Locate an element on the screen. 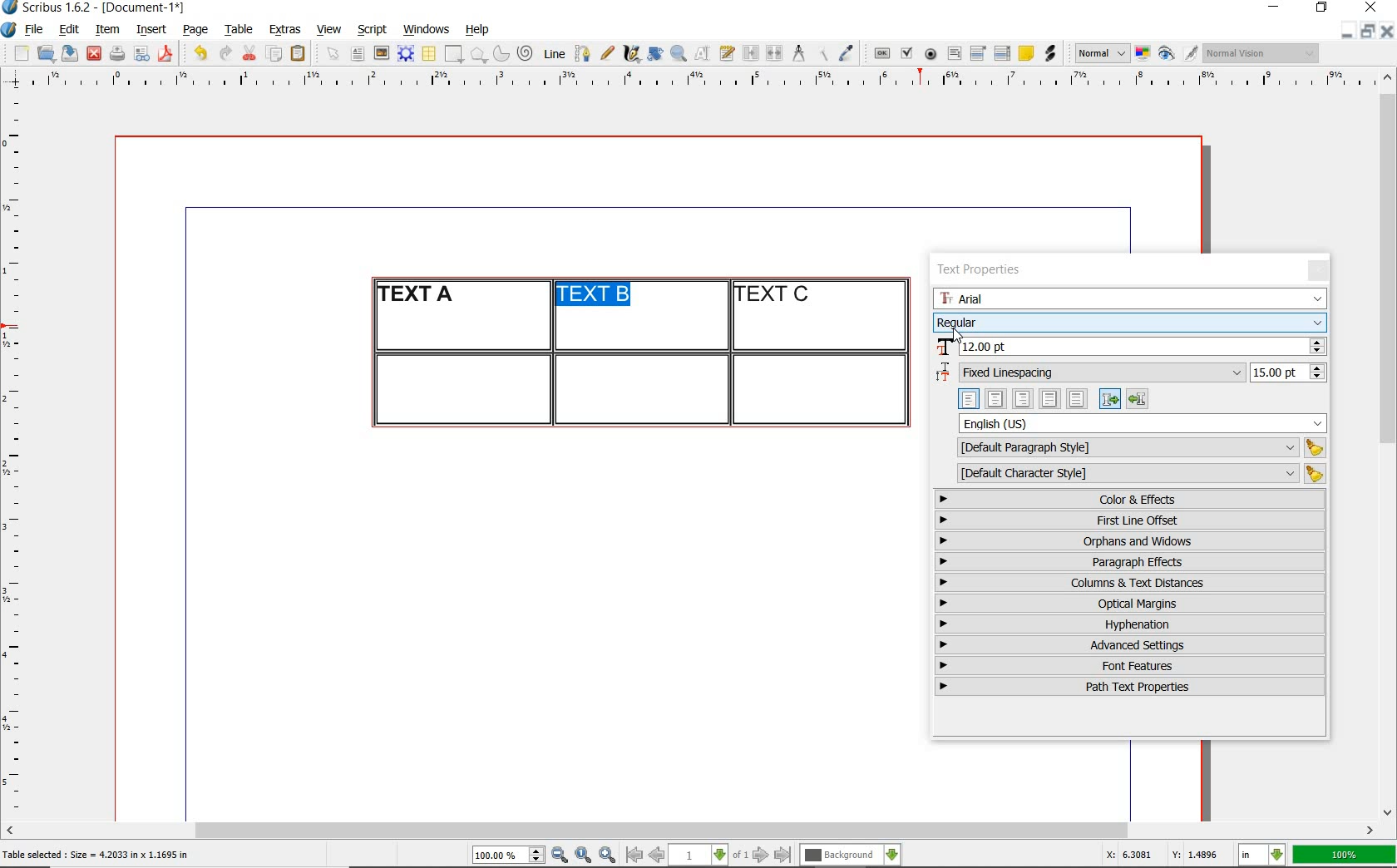 The height and width of the screenshot is (868, 1397). zoom in is located at coordinates (608, 856).